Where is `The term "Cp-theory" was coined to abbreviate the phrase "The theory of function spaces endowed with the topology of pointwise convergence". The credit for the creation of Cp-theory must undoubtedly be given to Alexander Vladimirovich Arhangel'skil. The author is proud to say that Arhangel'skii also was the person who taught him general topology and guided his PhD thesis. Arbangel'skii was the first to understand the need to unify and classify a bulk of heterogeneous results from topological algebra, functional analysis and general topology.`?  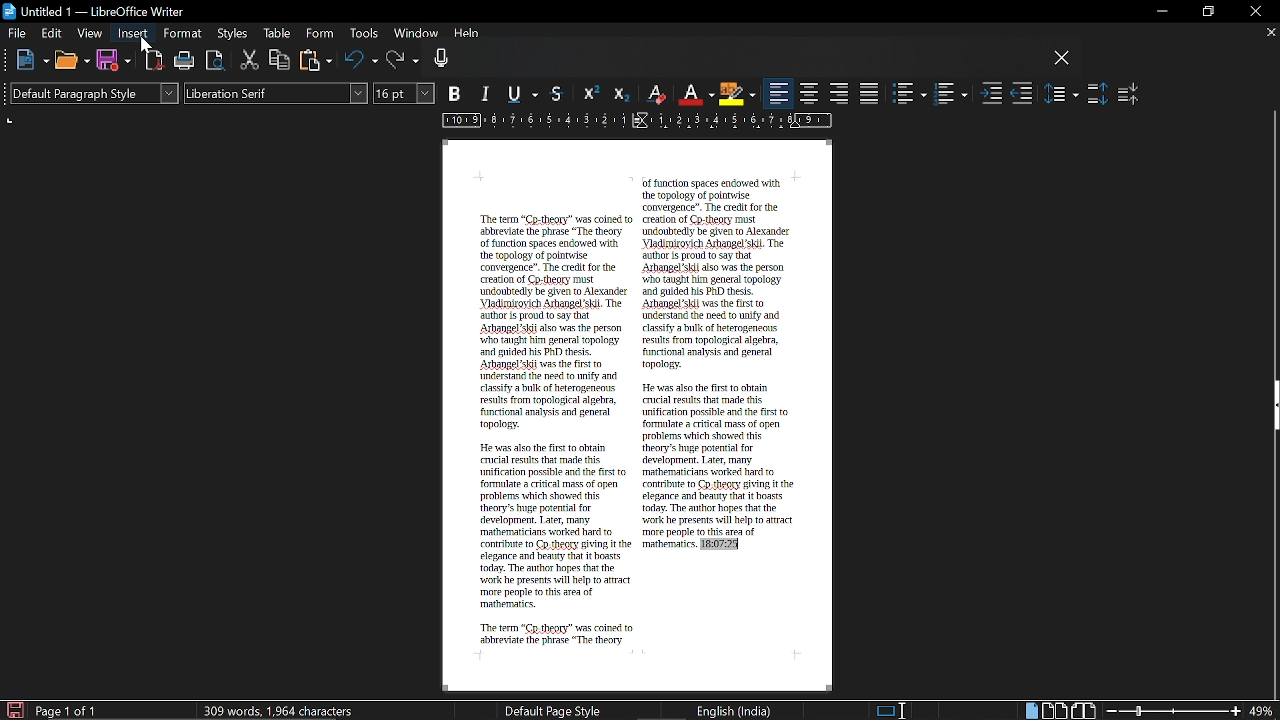
The term "Cp-theory" was coined to abbreviate the phrase "The theory of function spaces endowed with the topology of pointwise convergence". The credit for the creation of Cp-theory must undoubtedly be given to Alexander Vladimirovich Arhangel'skil. The author is proud to say that Arhangel'skii also was the person who taught him general topology and guided his PhD thesis. Arbangel'skii was the first to understand the need to unify and classify a bulk of heterogeneous results from topological algebra, functional analysis and general topology. is located at coordinates (553, 322).